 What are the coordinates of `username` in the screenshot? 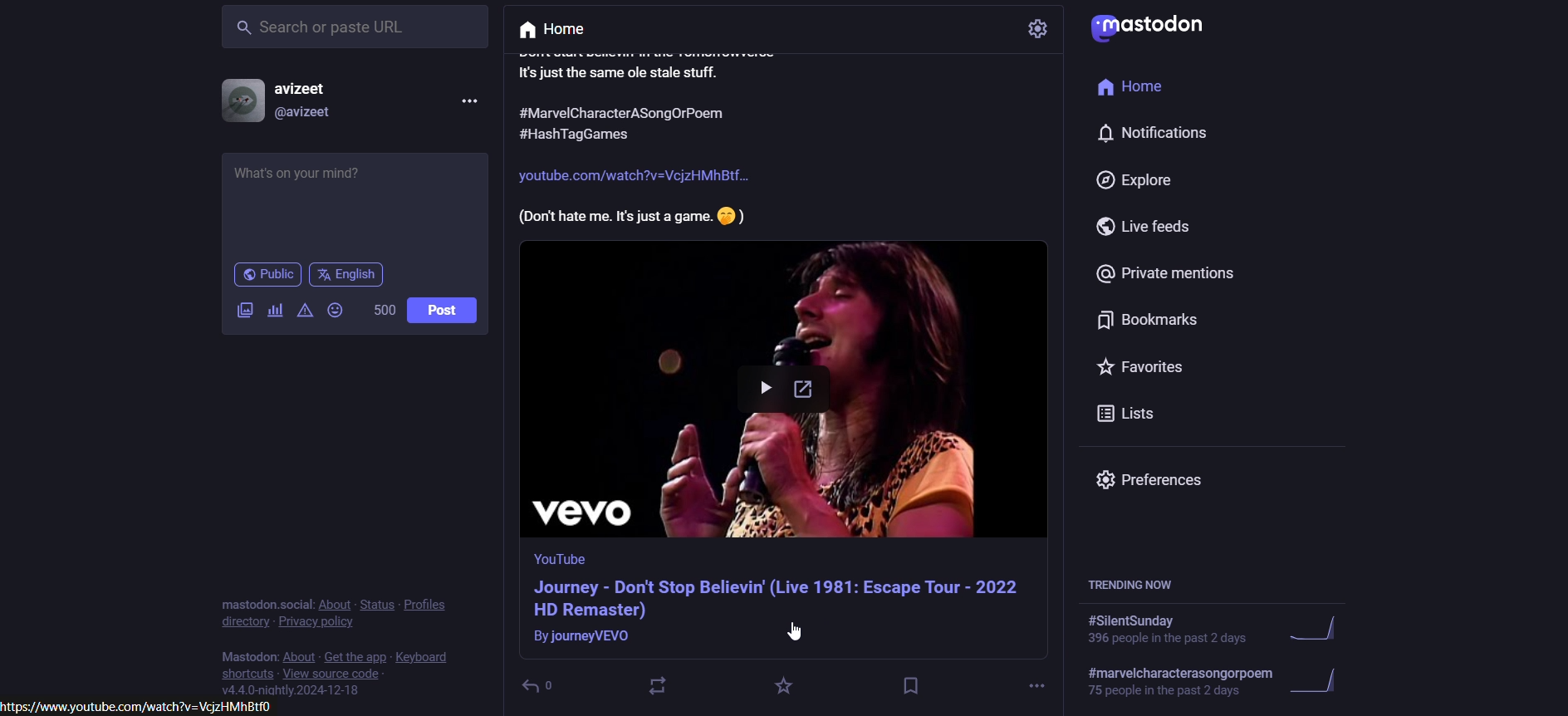 It's located at (304, 87).